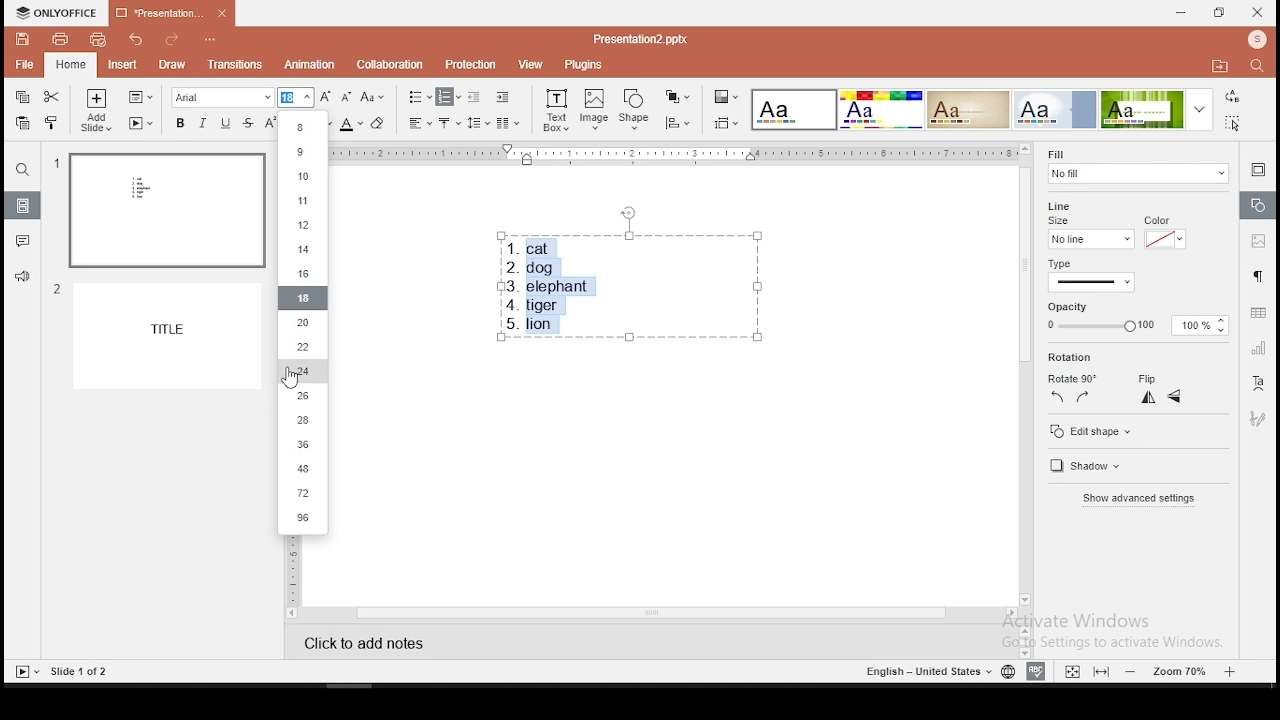 This screenshot has height=720, width=1280. I want to click on mouse pointer, so click(291, 378).